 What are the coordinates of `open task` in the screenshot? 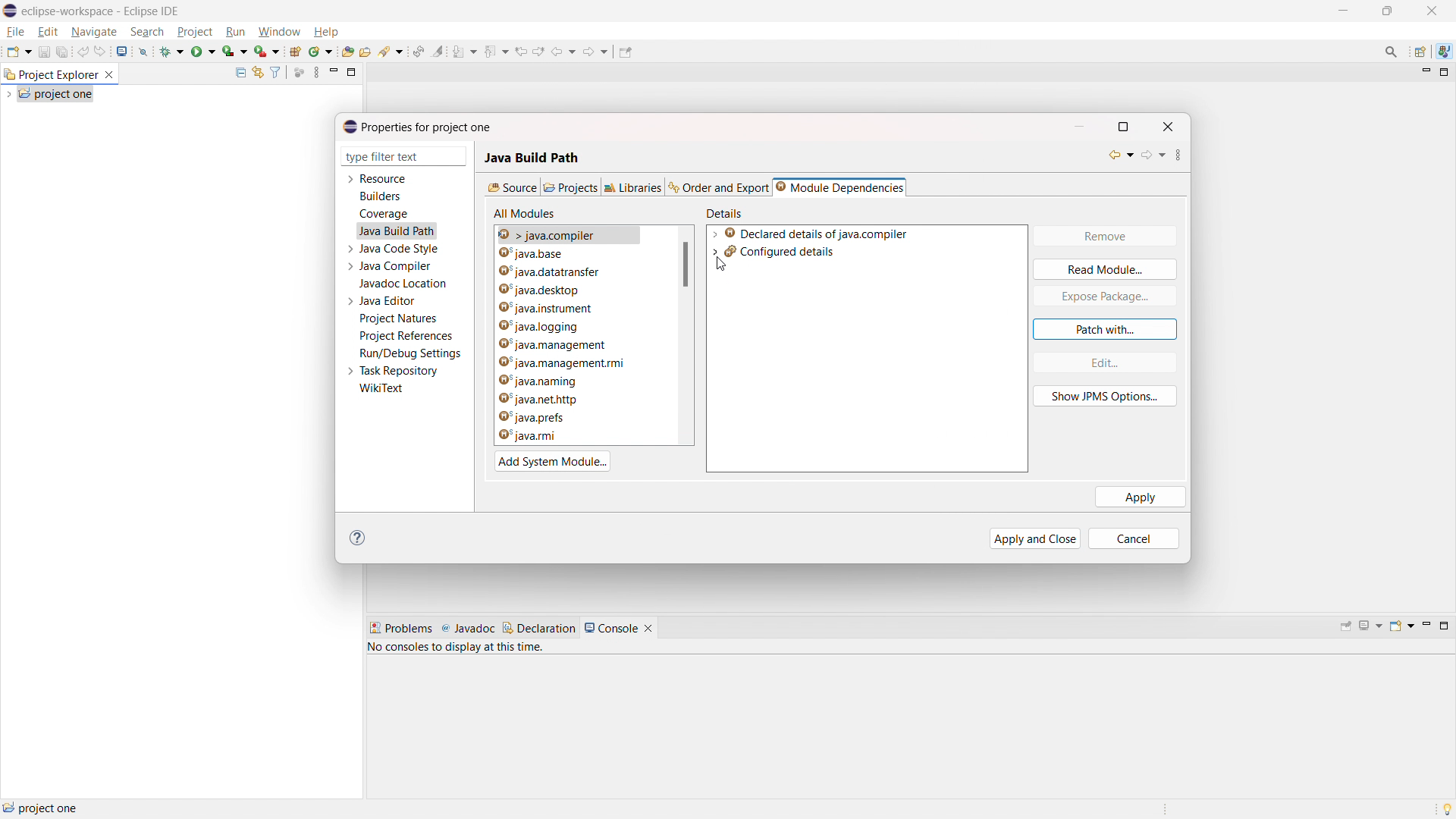 It's located at (366, 51).